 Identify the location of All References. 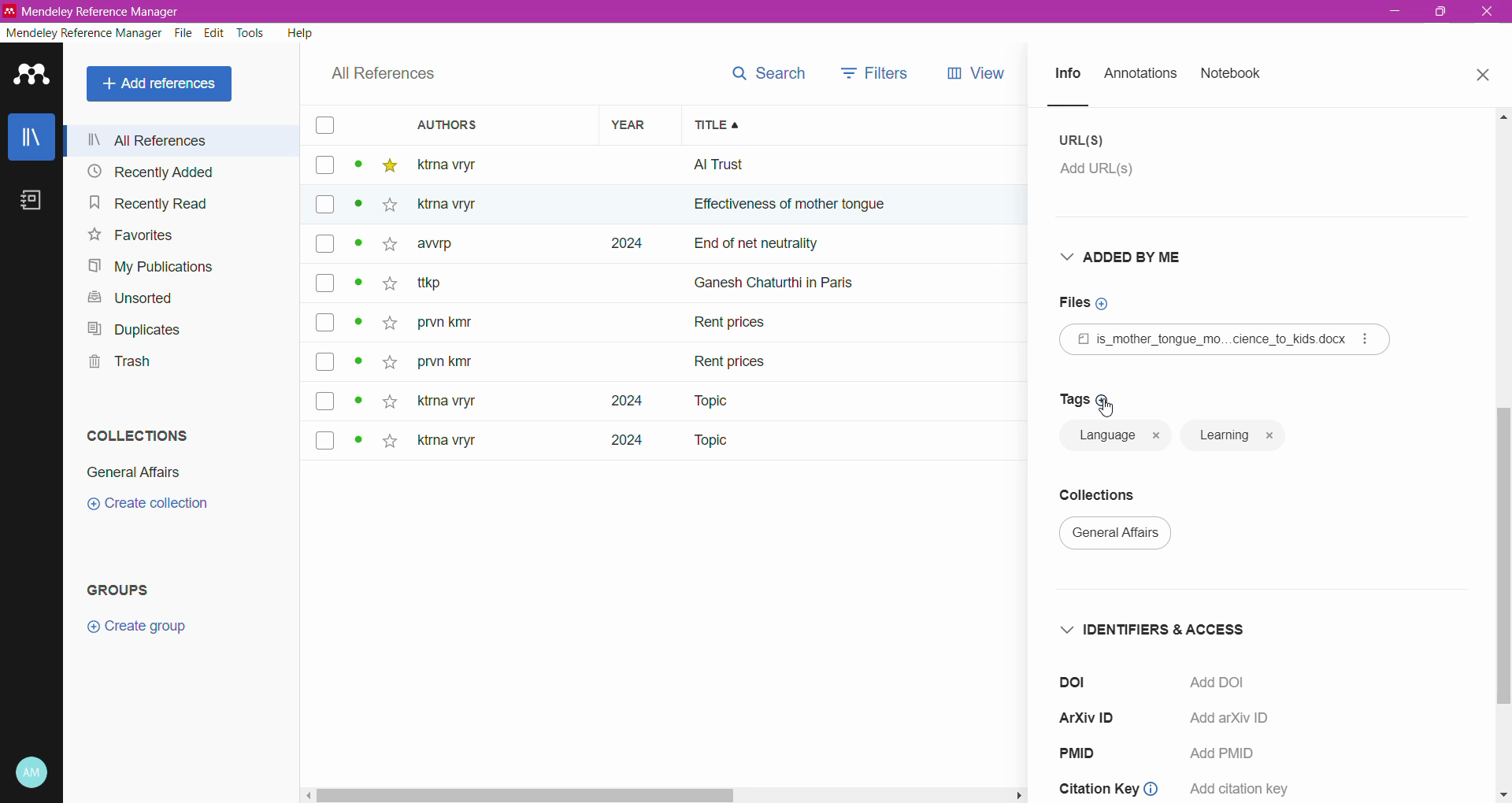
(183, 140).